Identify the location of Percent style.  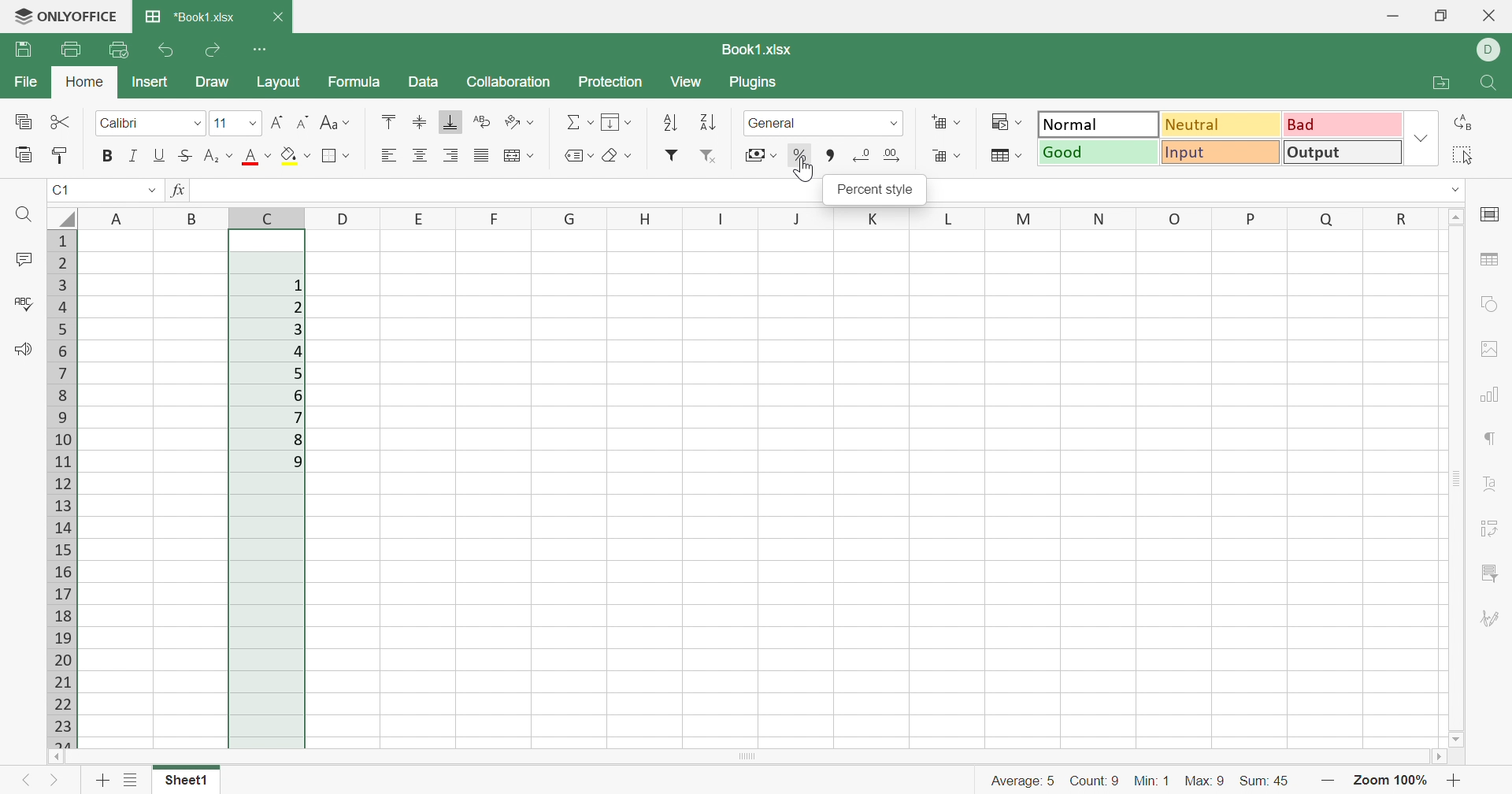
(878, 191).